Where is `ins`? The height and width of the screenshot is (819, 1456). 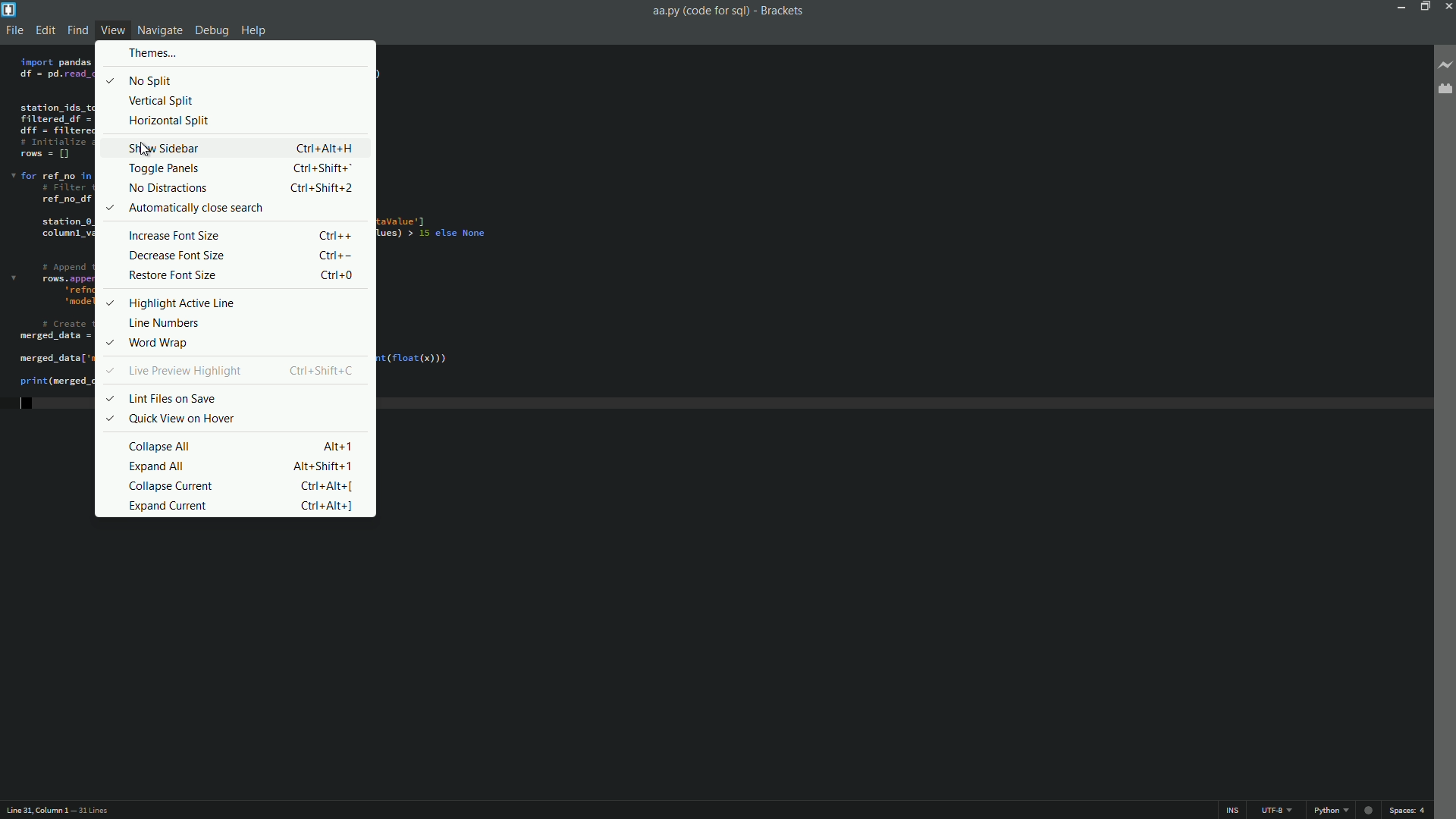 ins is located at coordinates (1235, 811).